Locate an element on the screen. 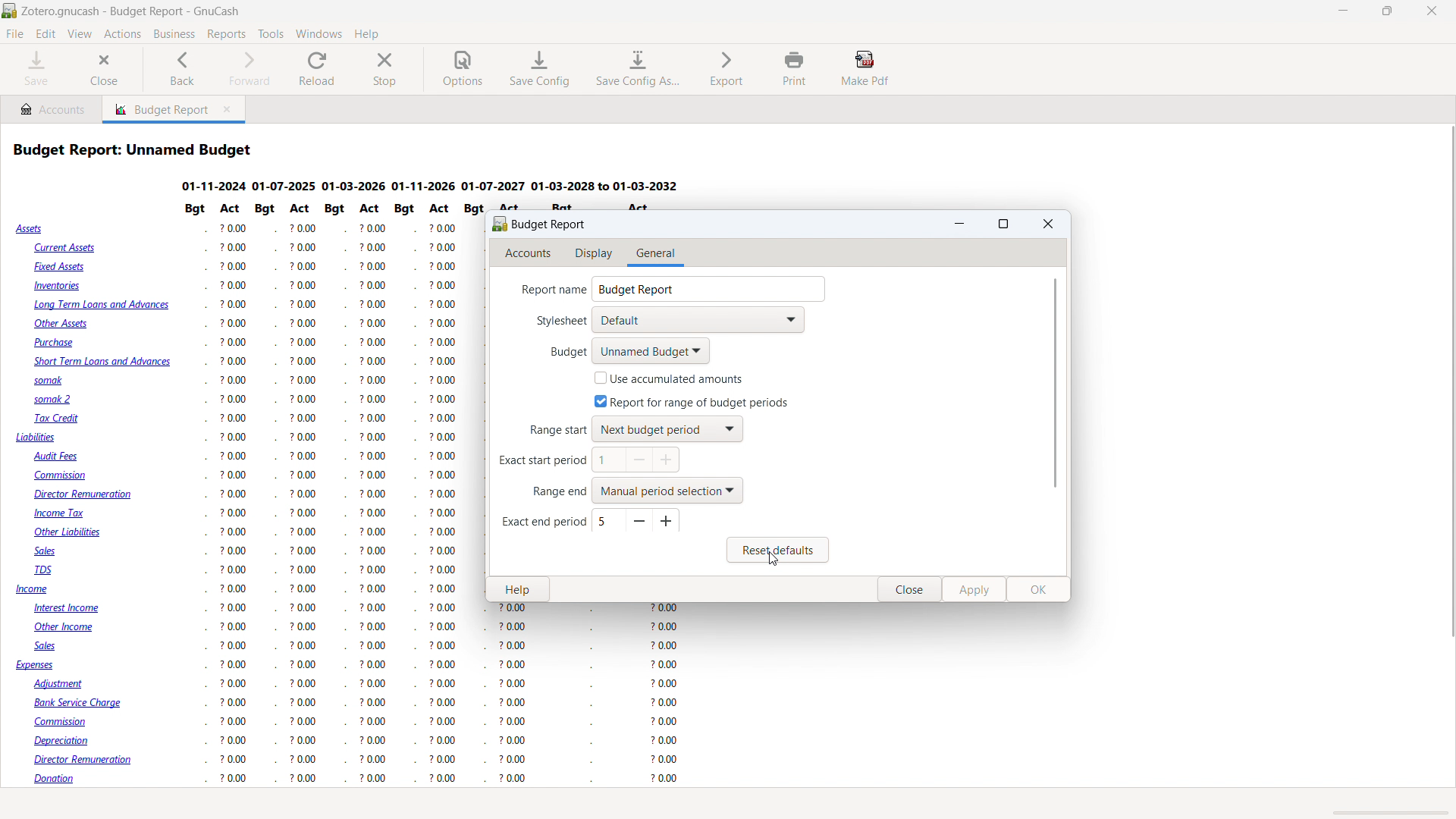 The height and width of the screenshot is (819, 1456). close is located at coordinates (911, 591).